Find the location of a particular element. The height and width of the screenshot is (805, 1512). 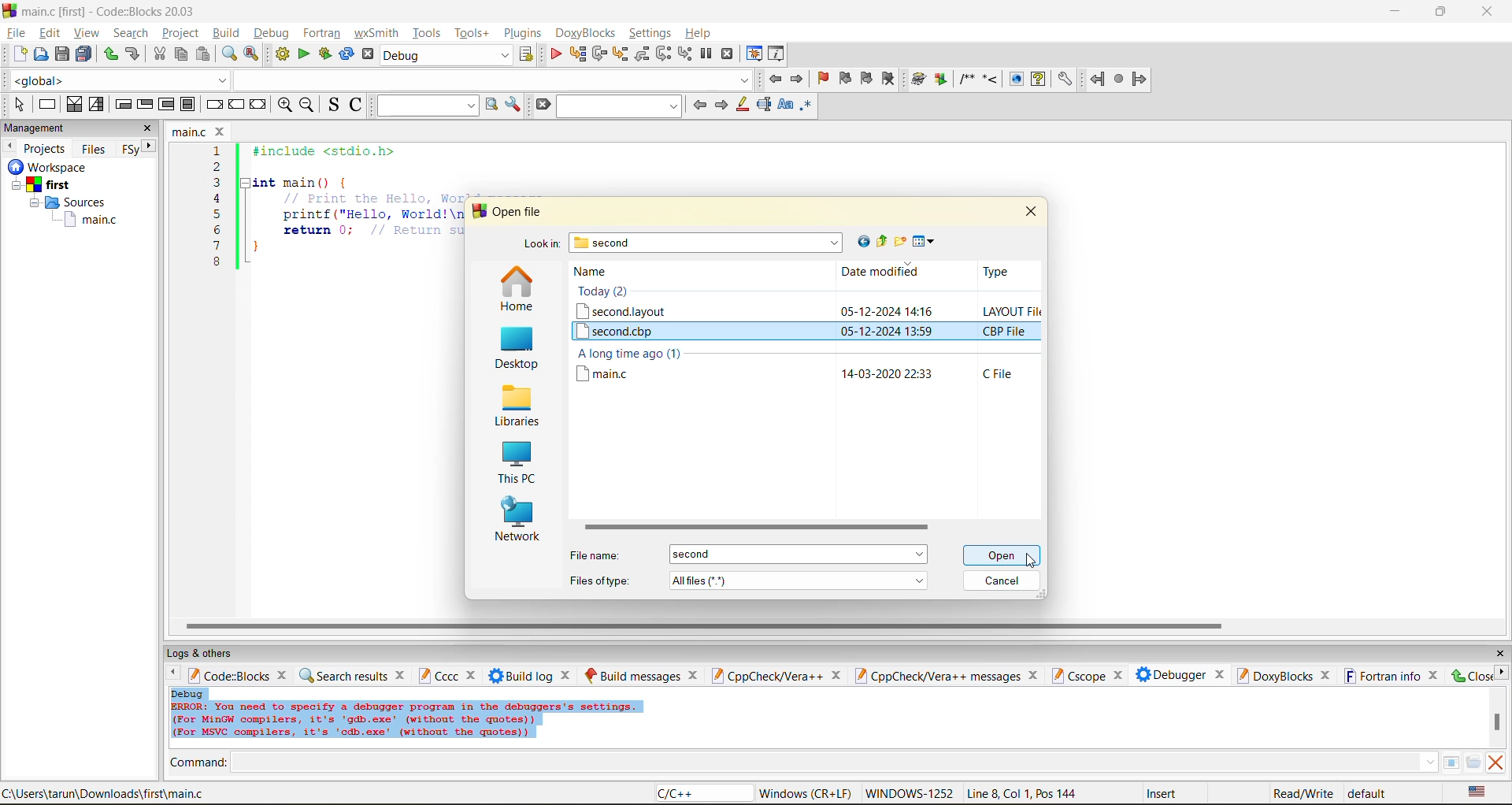

next is located at coordinates (1501, 672).